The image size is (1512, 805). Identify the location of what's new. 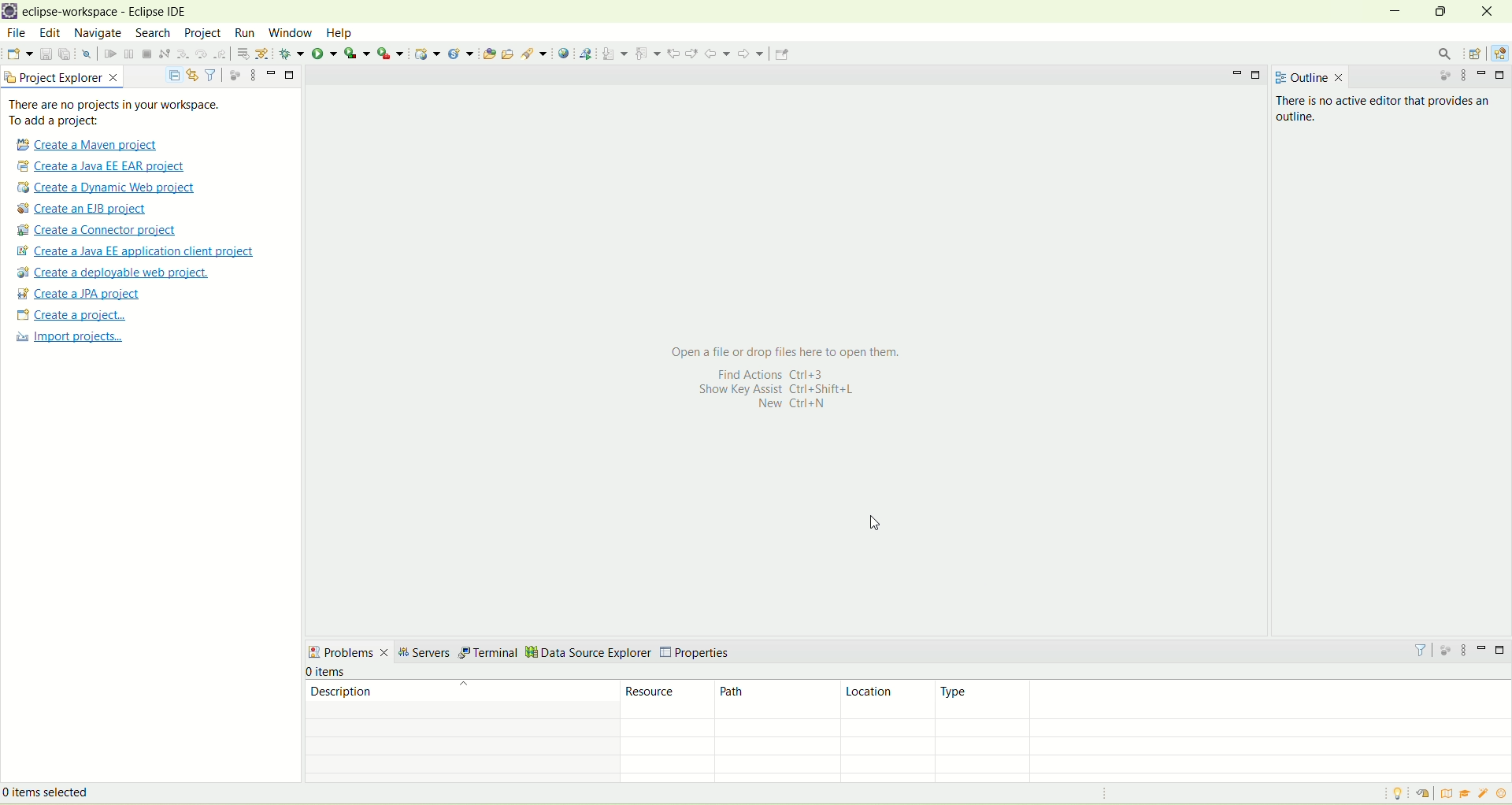
(1503, 794).